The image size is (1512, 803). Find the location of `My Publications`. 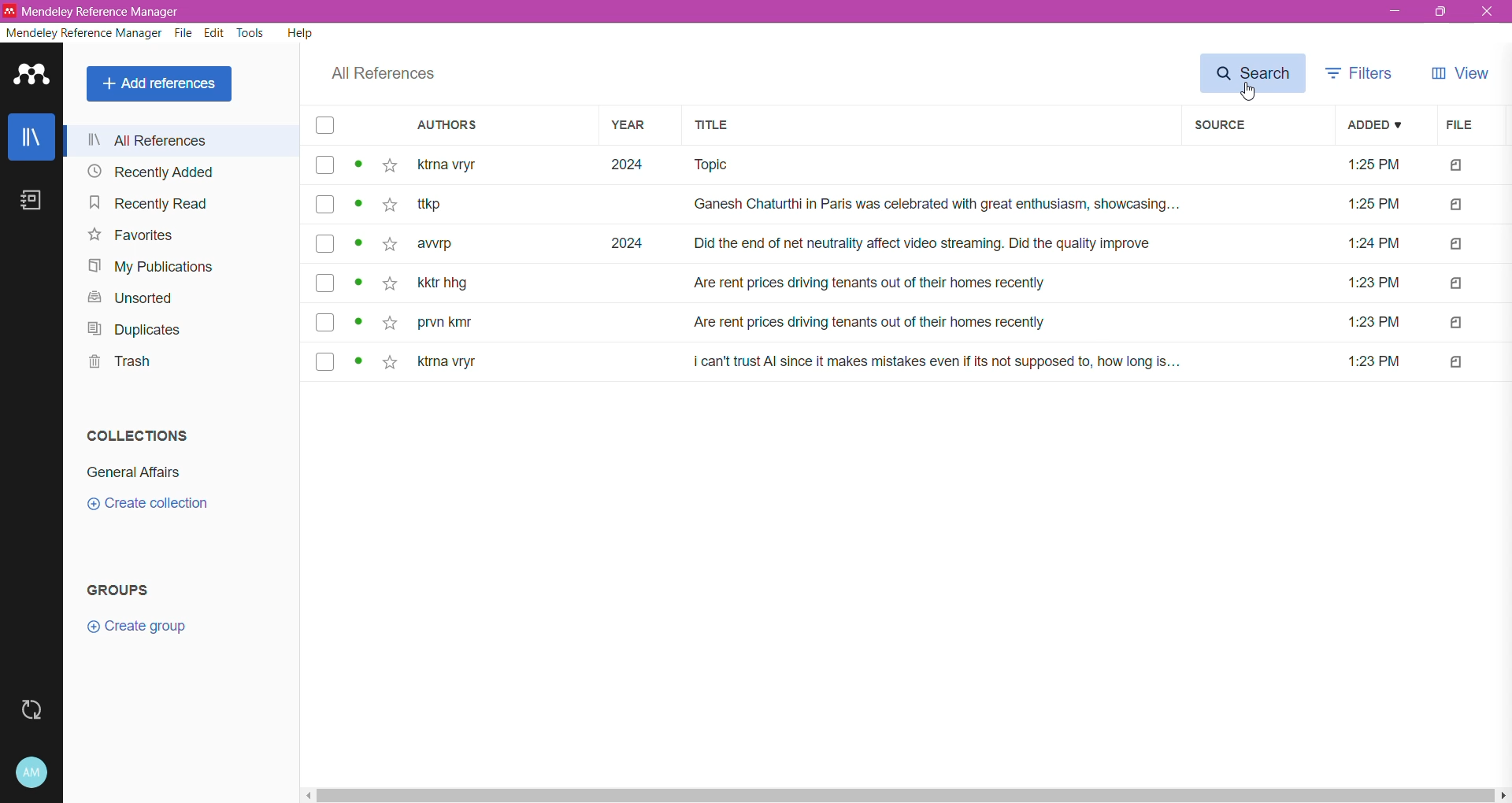

My Publications is located at coordinates (153, 266).